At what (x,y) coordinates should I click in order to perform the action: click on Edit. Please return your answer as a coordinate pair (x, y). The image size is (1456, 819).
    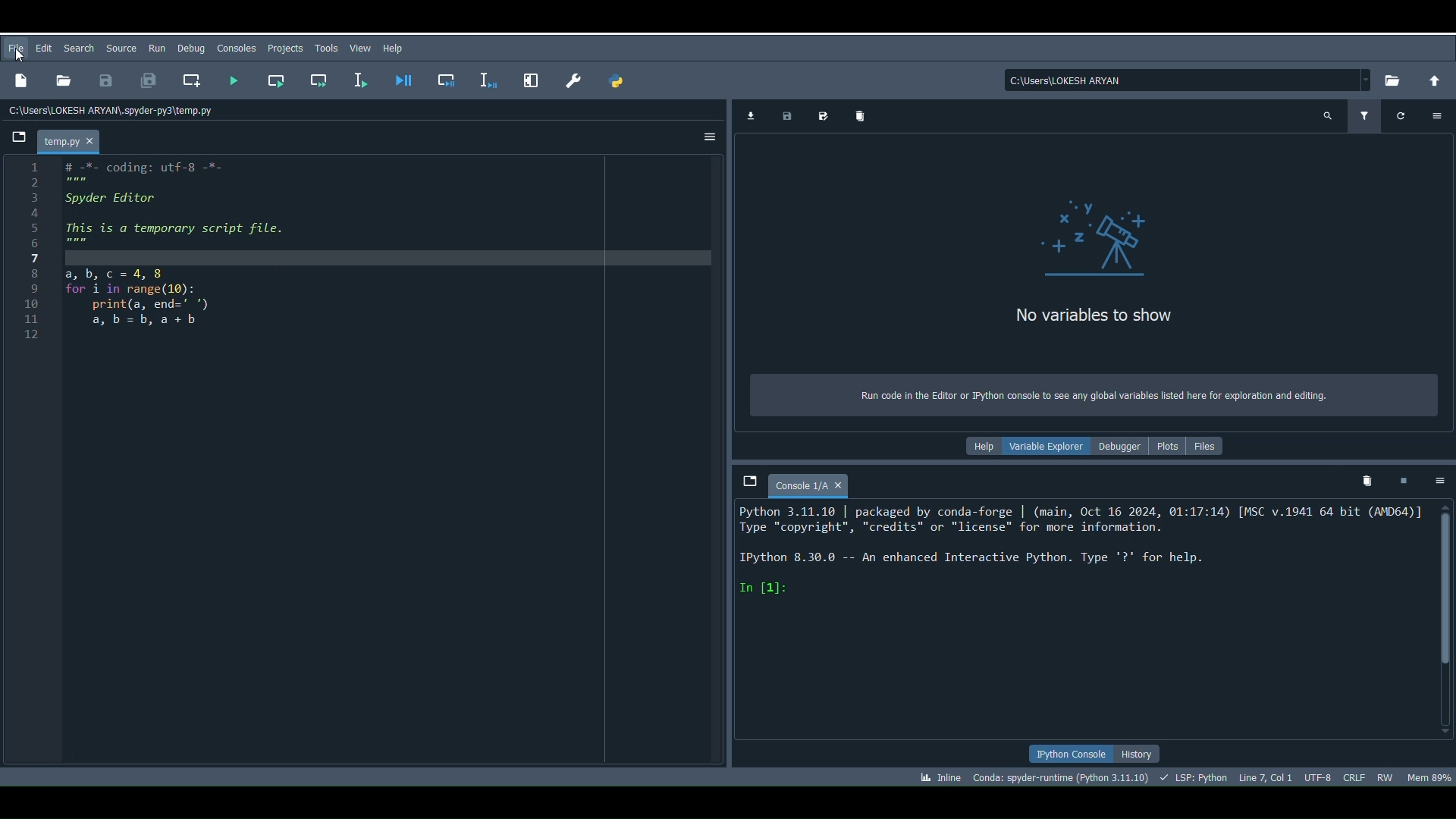
    Looking at the image, I should click on (46, 49).